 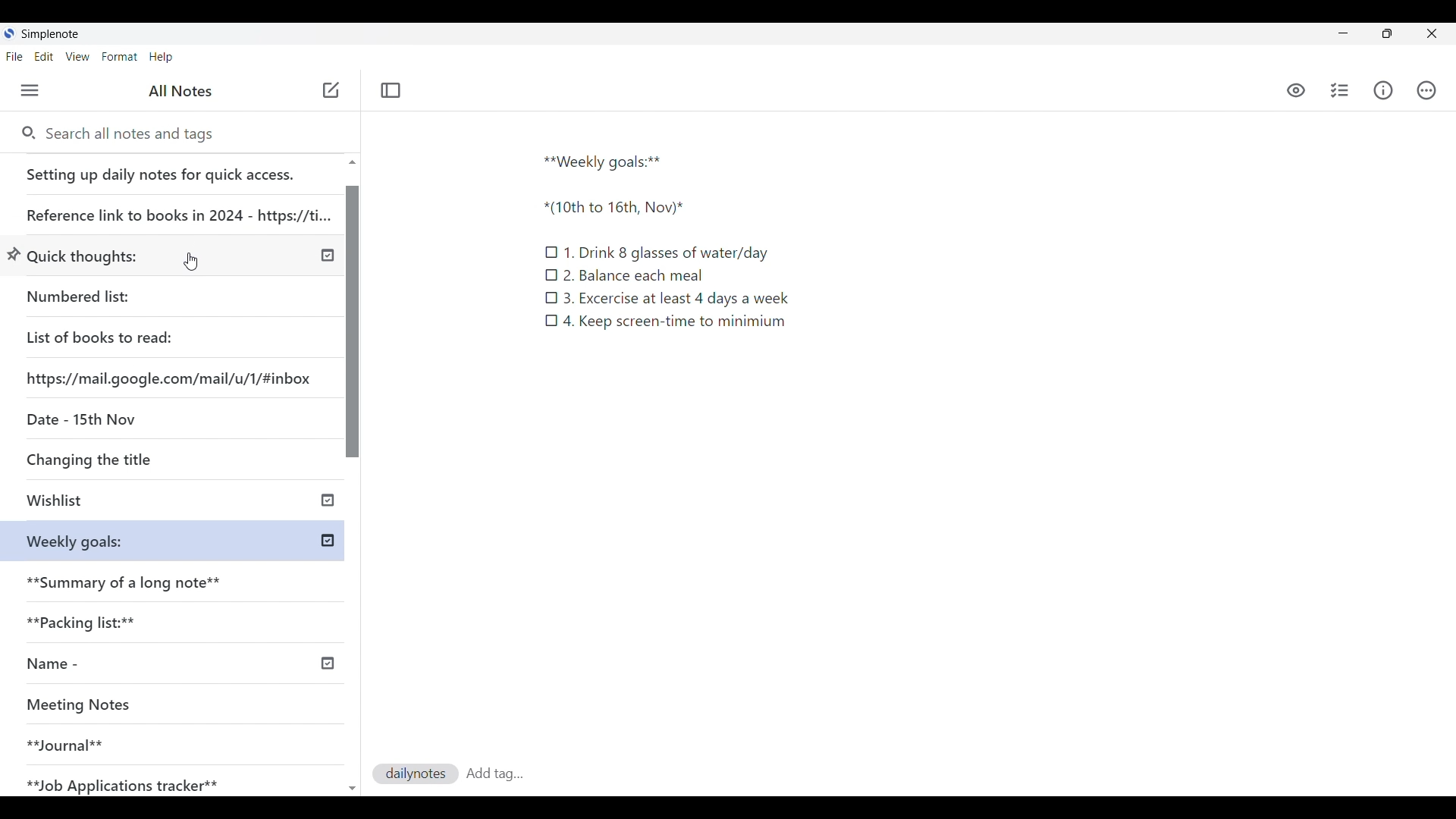 What do you see at coordinates (1339, 90) in the screenshot?
I see `Insert checklist` at bounding box center [1339, 90].